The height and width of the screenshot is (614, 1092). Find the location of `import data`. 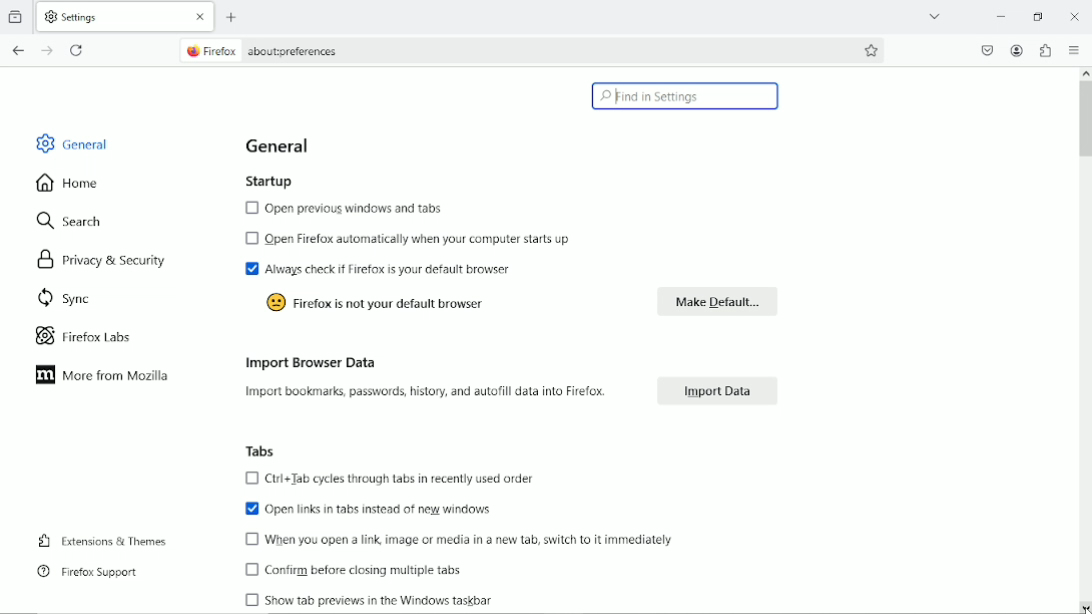

import data is located at coordinates (717, 390).